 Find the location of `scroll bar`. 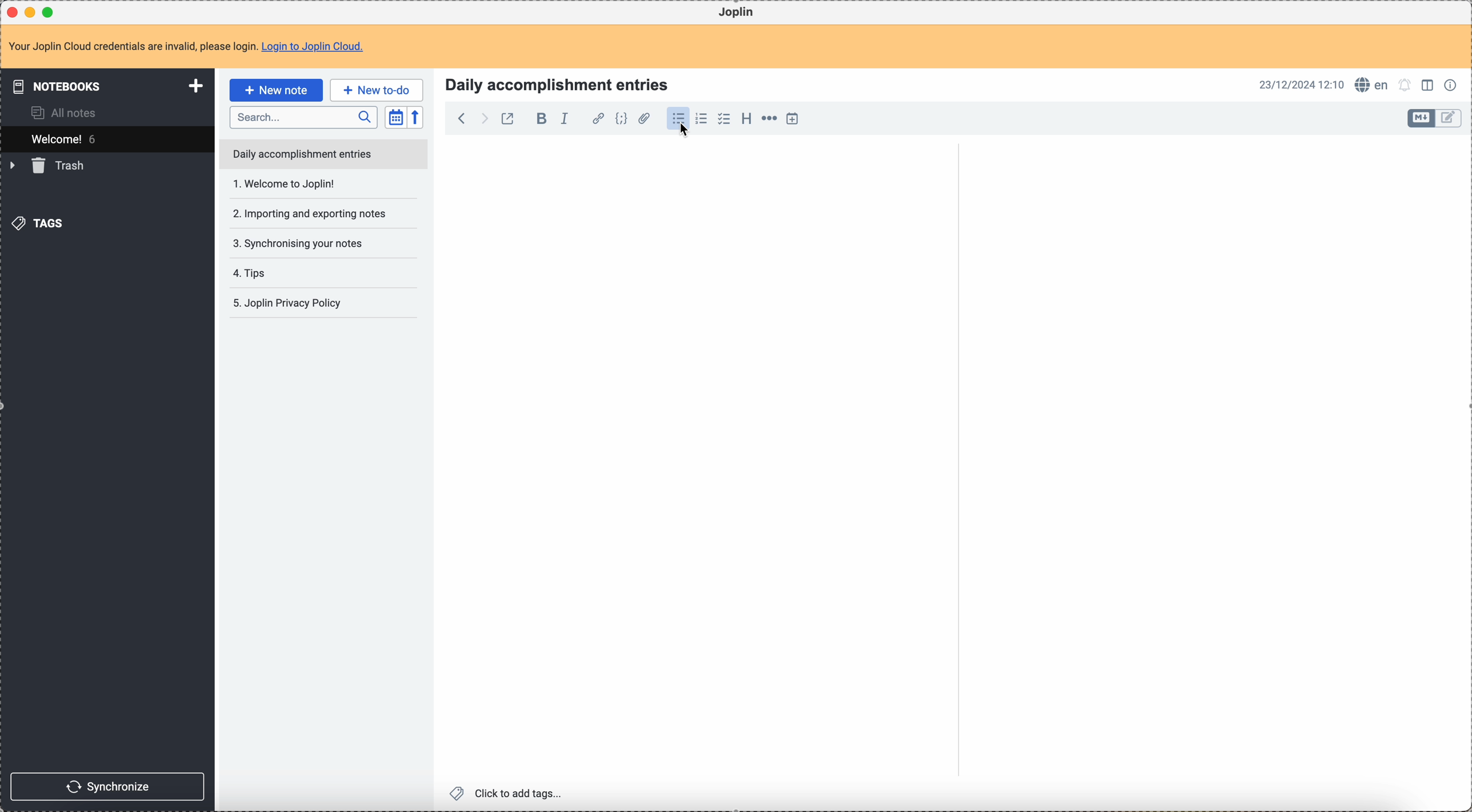

scroll bar is located at coordinates (954, 225).